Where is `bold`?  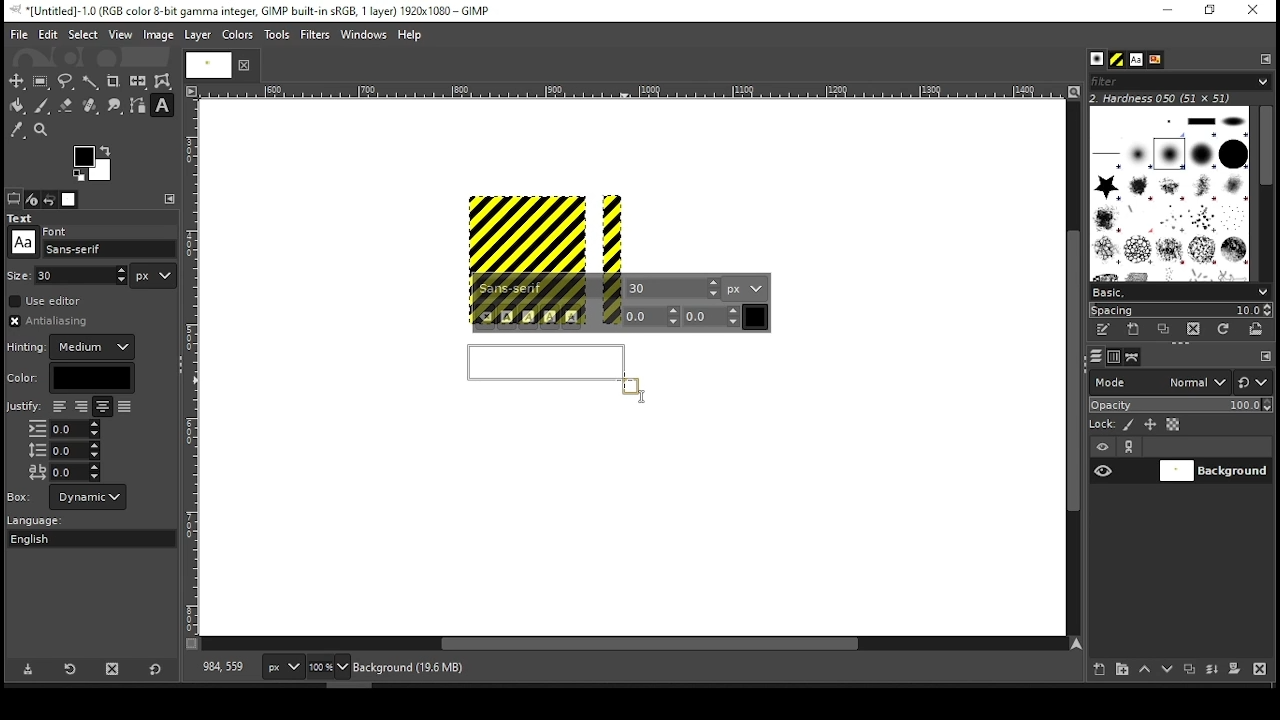
bold is located at coordinates (507, 317).